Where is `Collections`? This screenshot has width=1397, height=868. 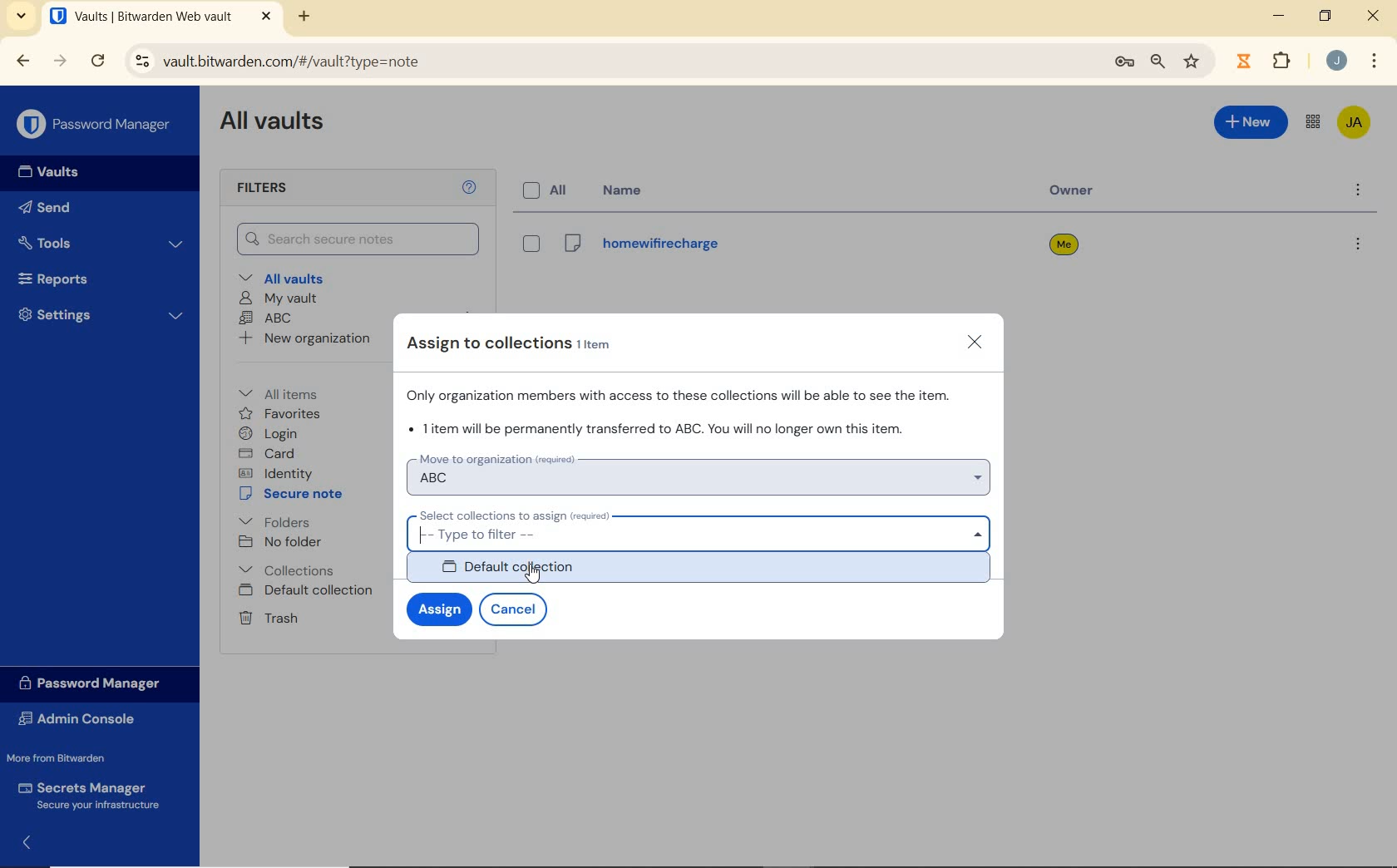
Collections is located at coordinates (290, 570).